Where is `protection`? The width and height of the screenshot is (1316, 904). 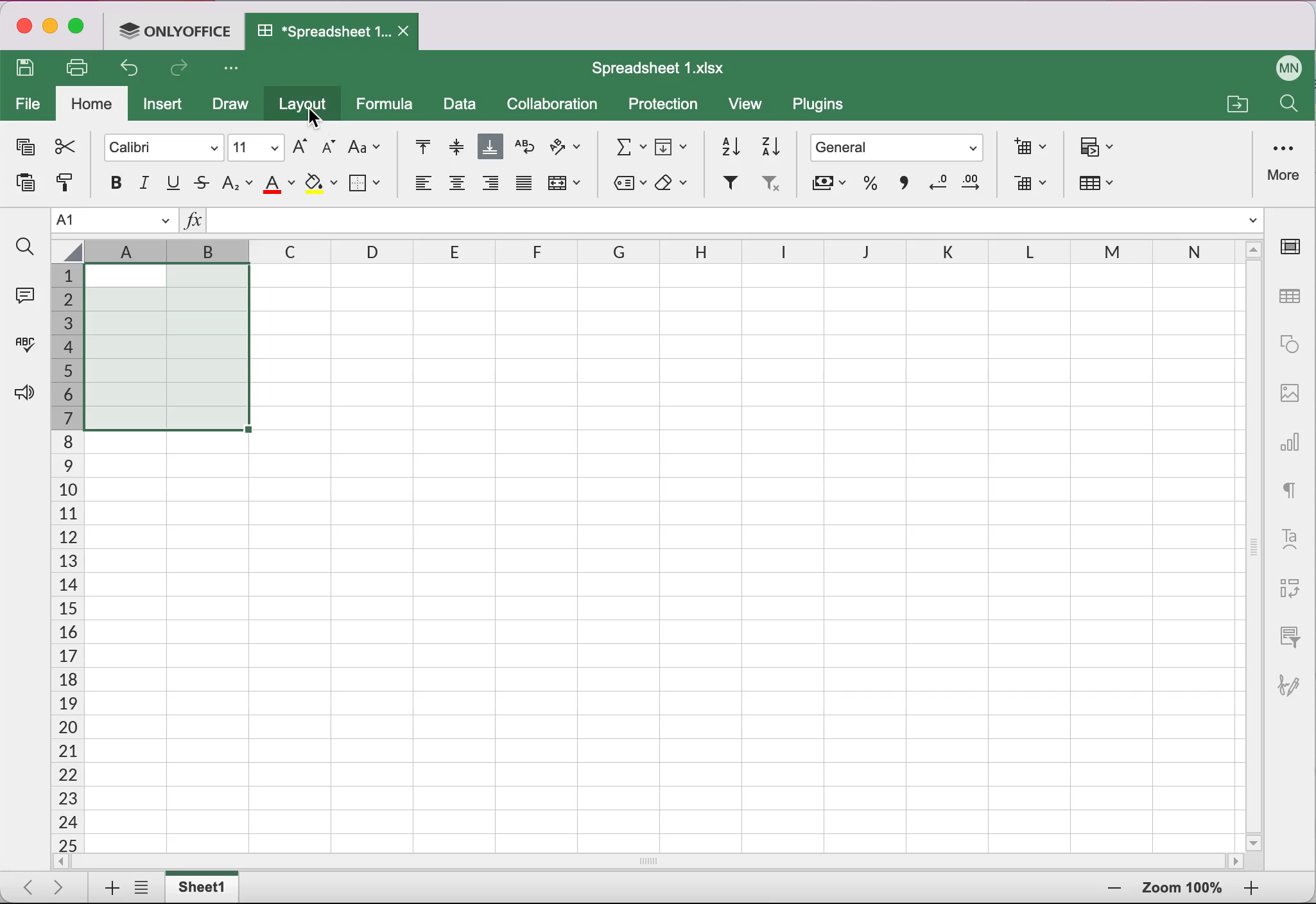 protection is located at coordinates (664, 105).